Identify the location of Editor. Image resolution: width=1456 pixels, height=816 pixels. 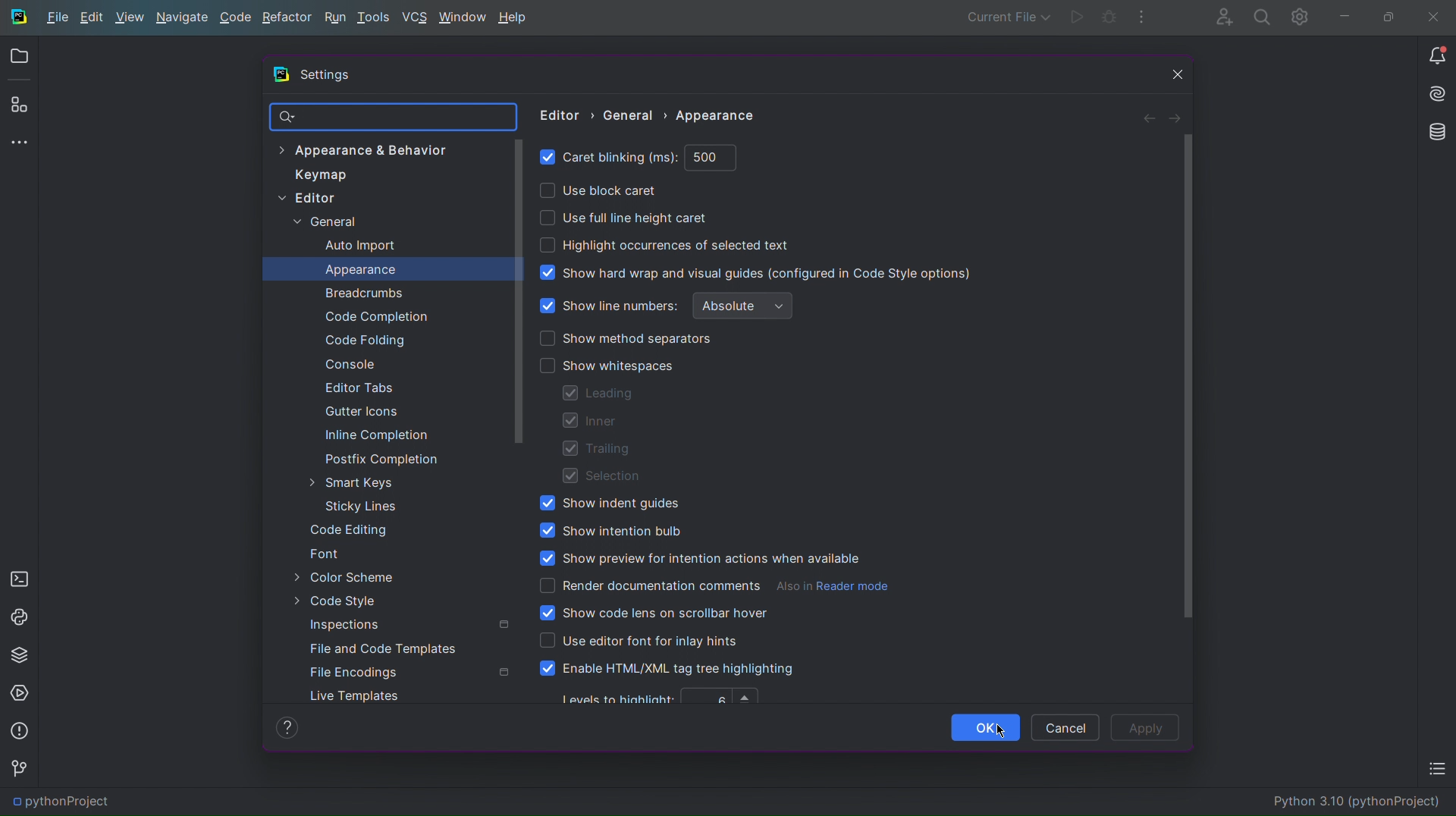
(313, 200).